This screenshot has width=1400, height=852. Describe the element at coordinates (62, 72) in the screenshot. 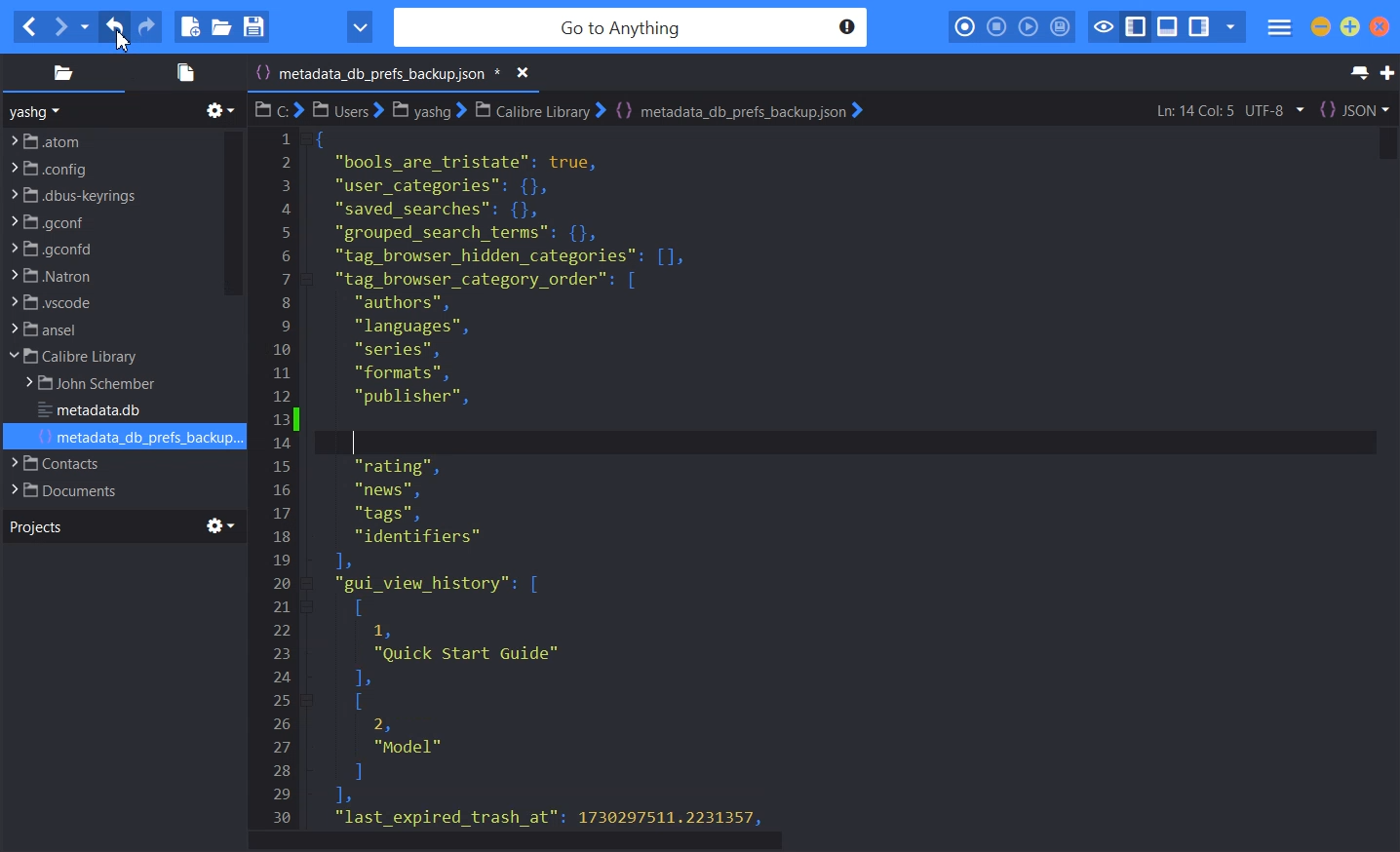

I see `Places` at that location.